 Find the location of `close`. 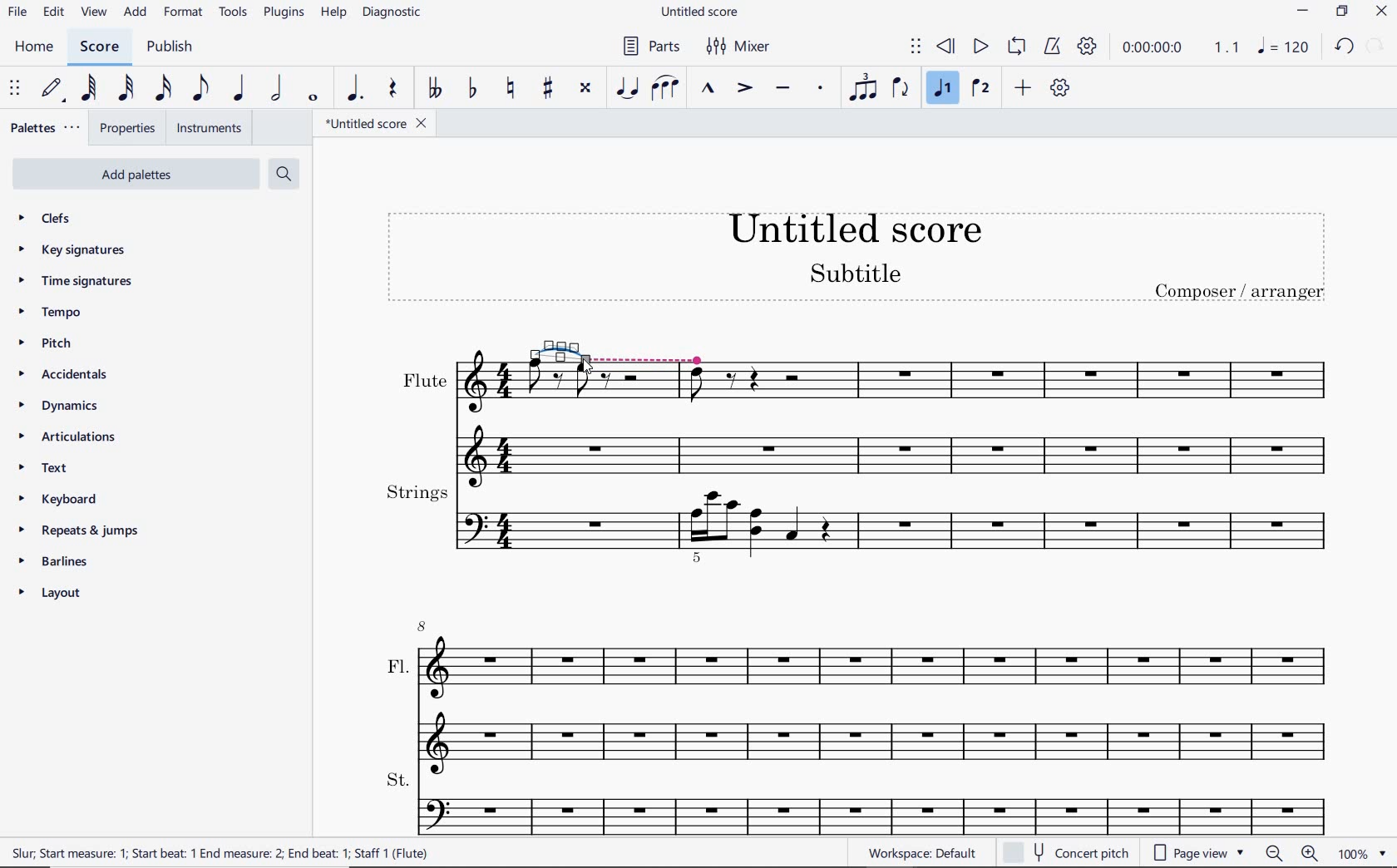

close is located at coordinates (1384, 11).